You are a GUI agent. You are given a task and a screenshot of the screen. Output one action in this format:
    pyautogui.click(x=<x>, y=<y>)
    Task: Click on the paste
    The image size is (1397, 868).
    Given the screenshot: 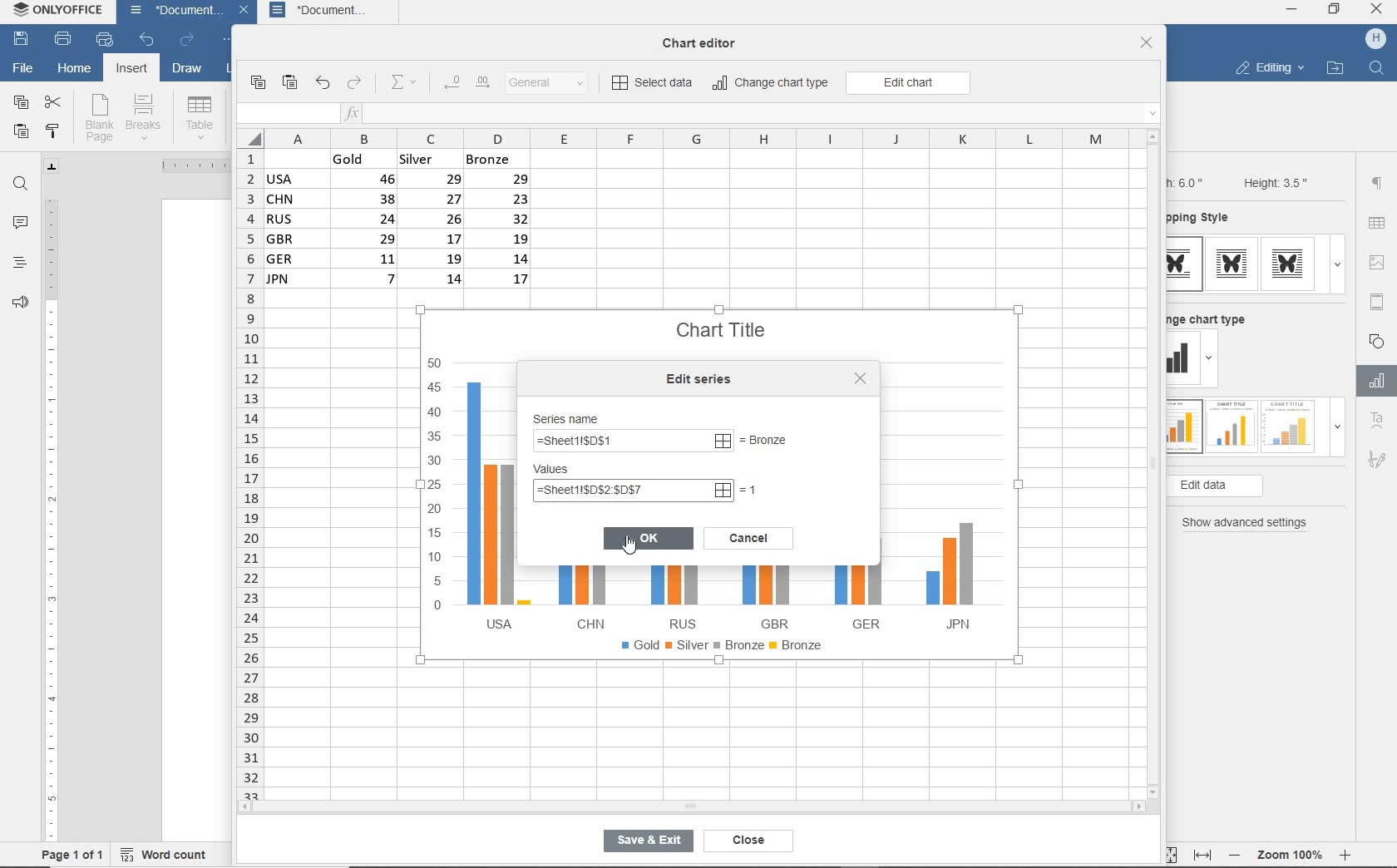 What is the action you would take?
    pyautogui.click(x=291, y=83)
    